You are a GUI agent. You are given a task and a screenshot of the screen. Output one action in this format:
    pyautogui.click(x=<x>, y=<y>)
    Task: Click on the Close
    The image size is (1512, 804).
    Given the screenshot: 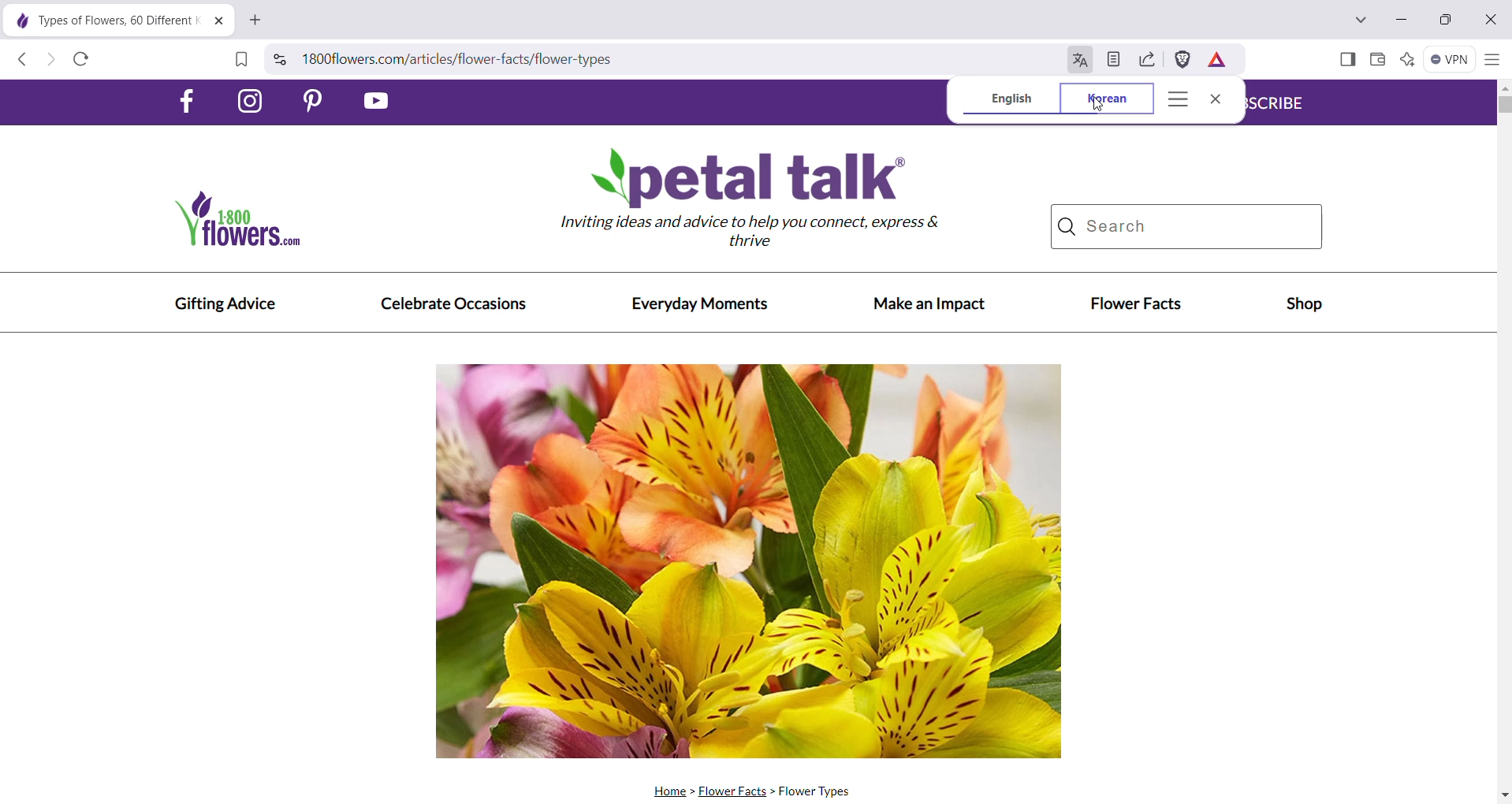 What is the action you would take?
    pyautogui.click(x=1493, y=20)
    